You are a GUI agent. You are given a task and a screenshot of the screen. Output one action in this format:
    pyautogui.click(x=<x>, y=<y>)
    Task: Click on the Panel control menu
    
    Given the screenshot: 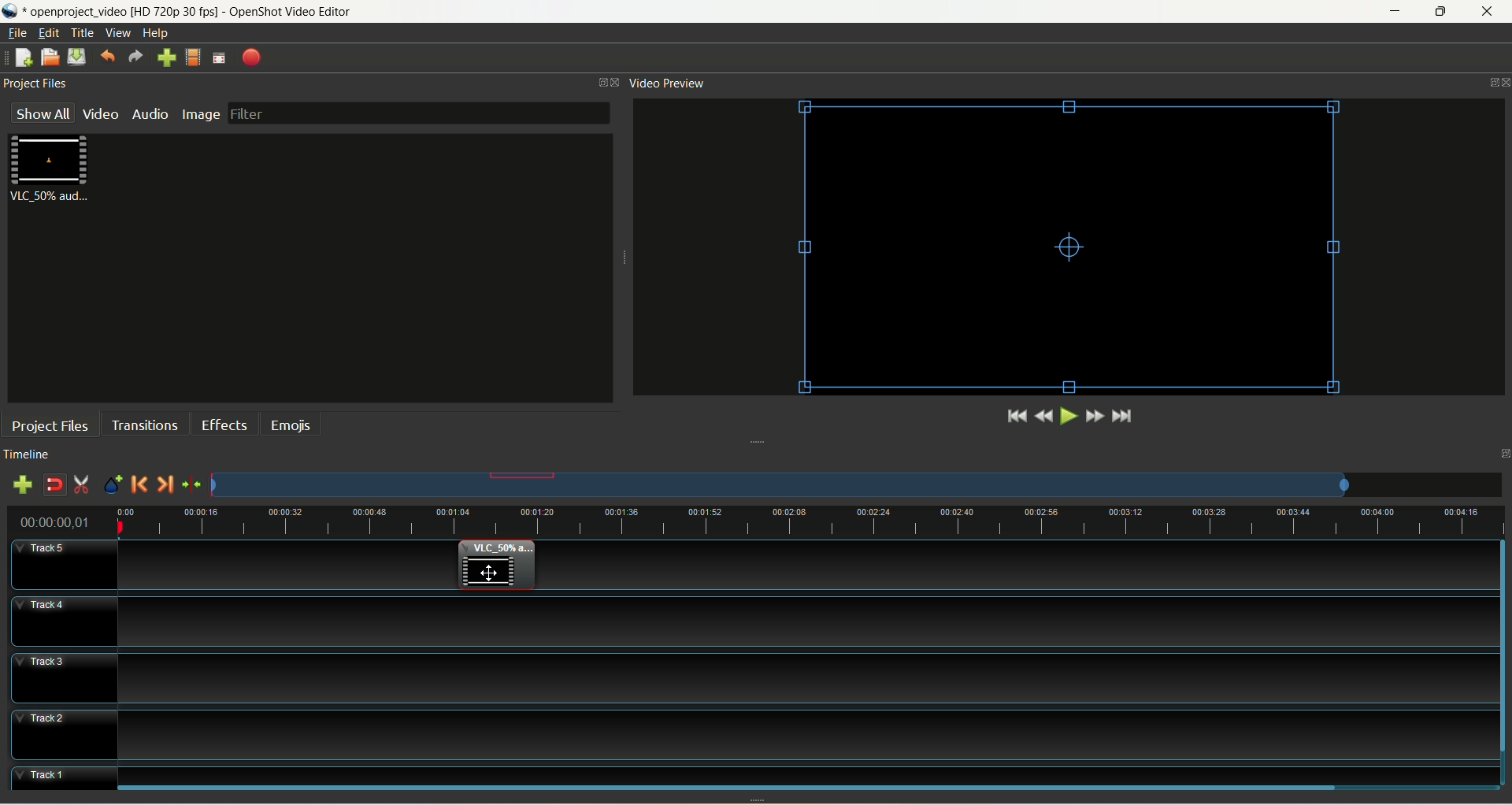 What is the action you would take?
    pyautogui.click(x=1494, y=83)
    